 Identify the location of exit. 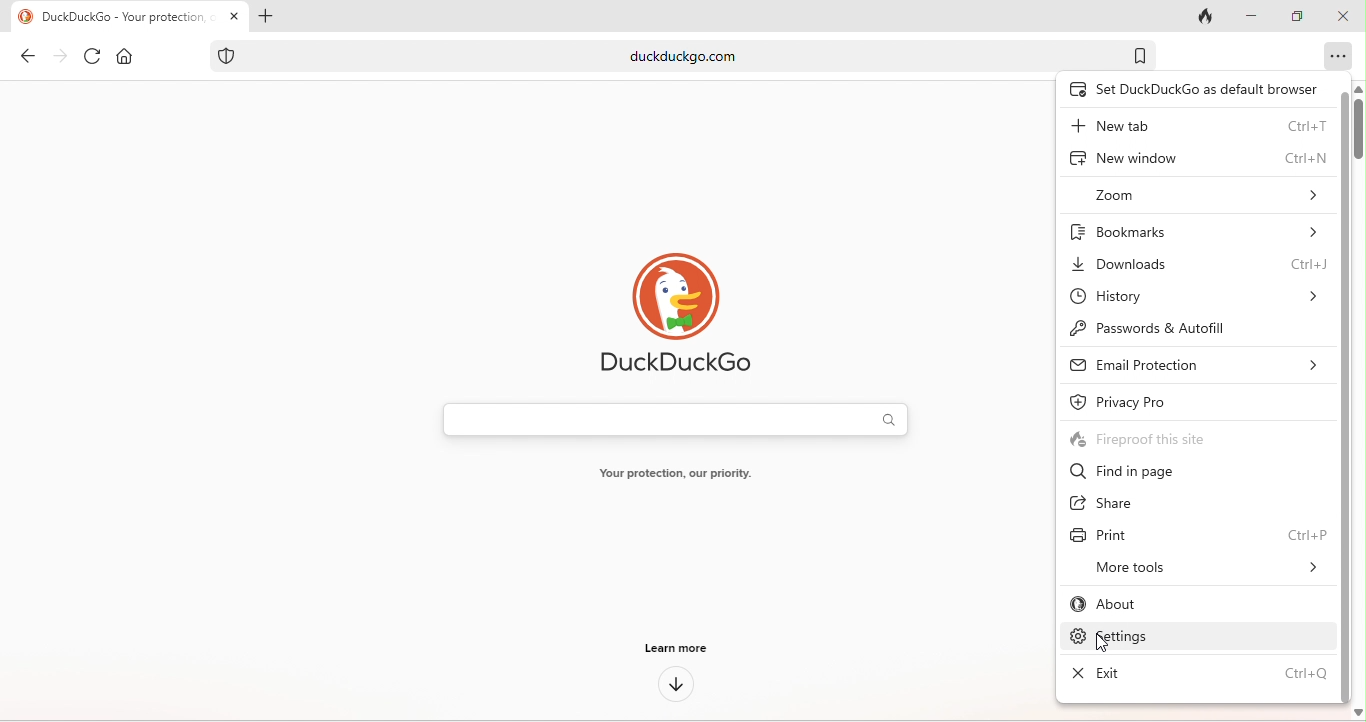
(1202, 675).